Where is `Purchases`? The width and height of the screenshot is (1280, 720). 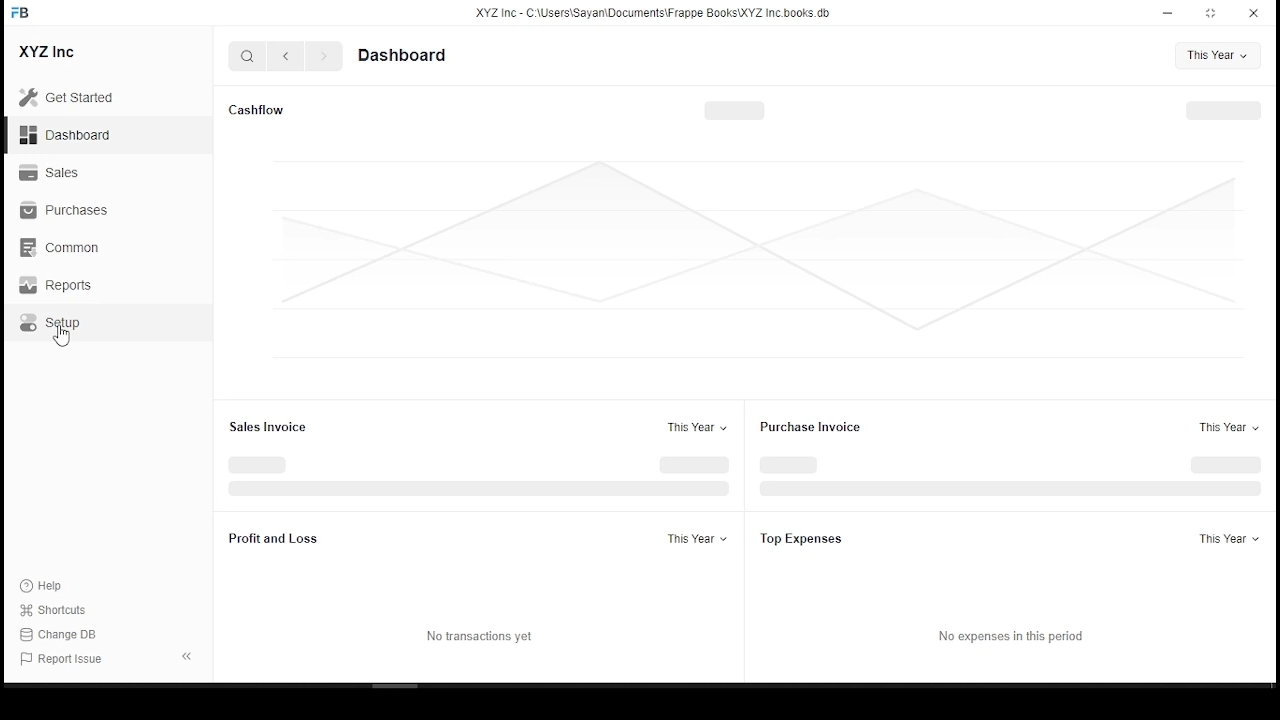 Purchases is located at coordinates (63, 208).